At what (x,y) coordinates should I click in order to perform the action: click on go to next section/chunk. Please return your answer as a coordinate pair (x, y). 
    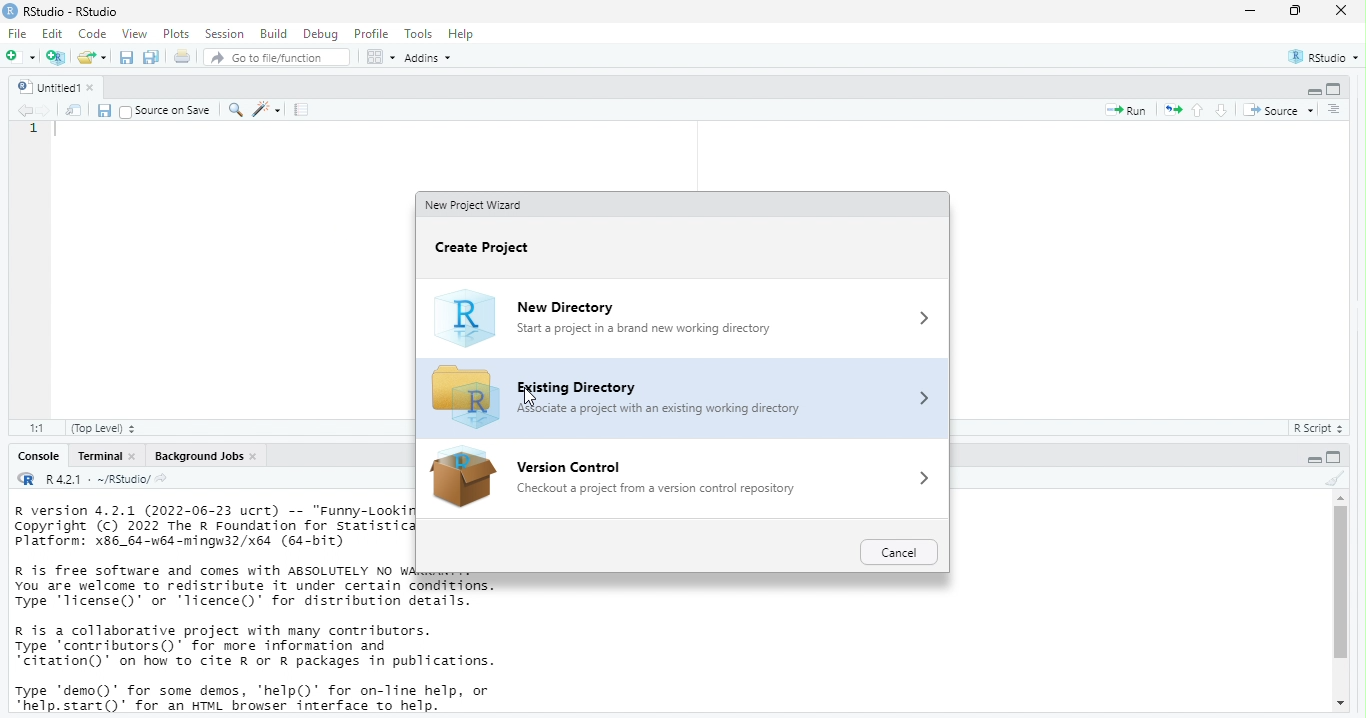
    Looking at the image, I should click on (1225, 109).